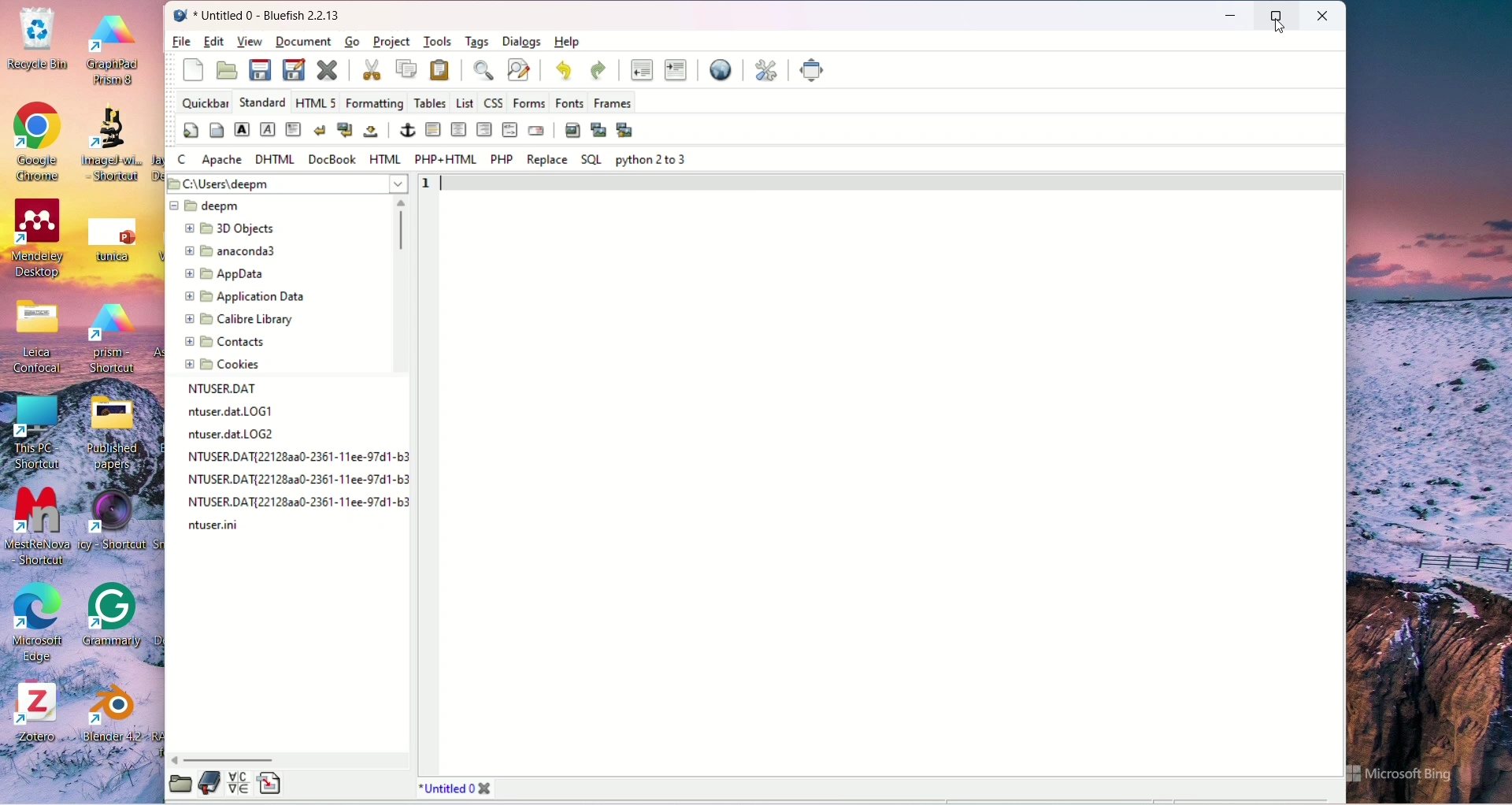 This screenshot has width=1512, height=805. Describe the element at coordinates (1281, 32) in the screenshot. I see `cursor` at that location.